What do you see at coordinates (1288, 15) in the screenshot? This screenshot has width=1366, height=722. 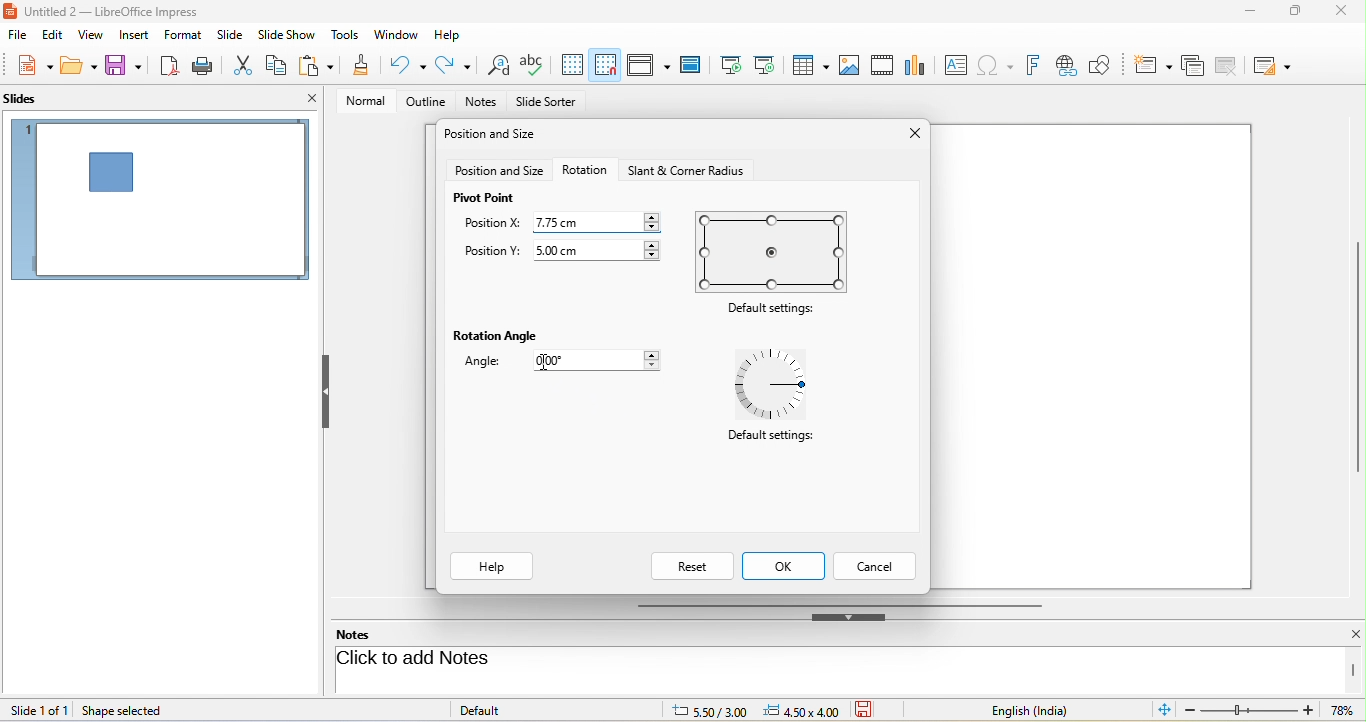 I see `maximize` at bounding box center [1288, 15].